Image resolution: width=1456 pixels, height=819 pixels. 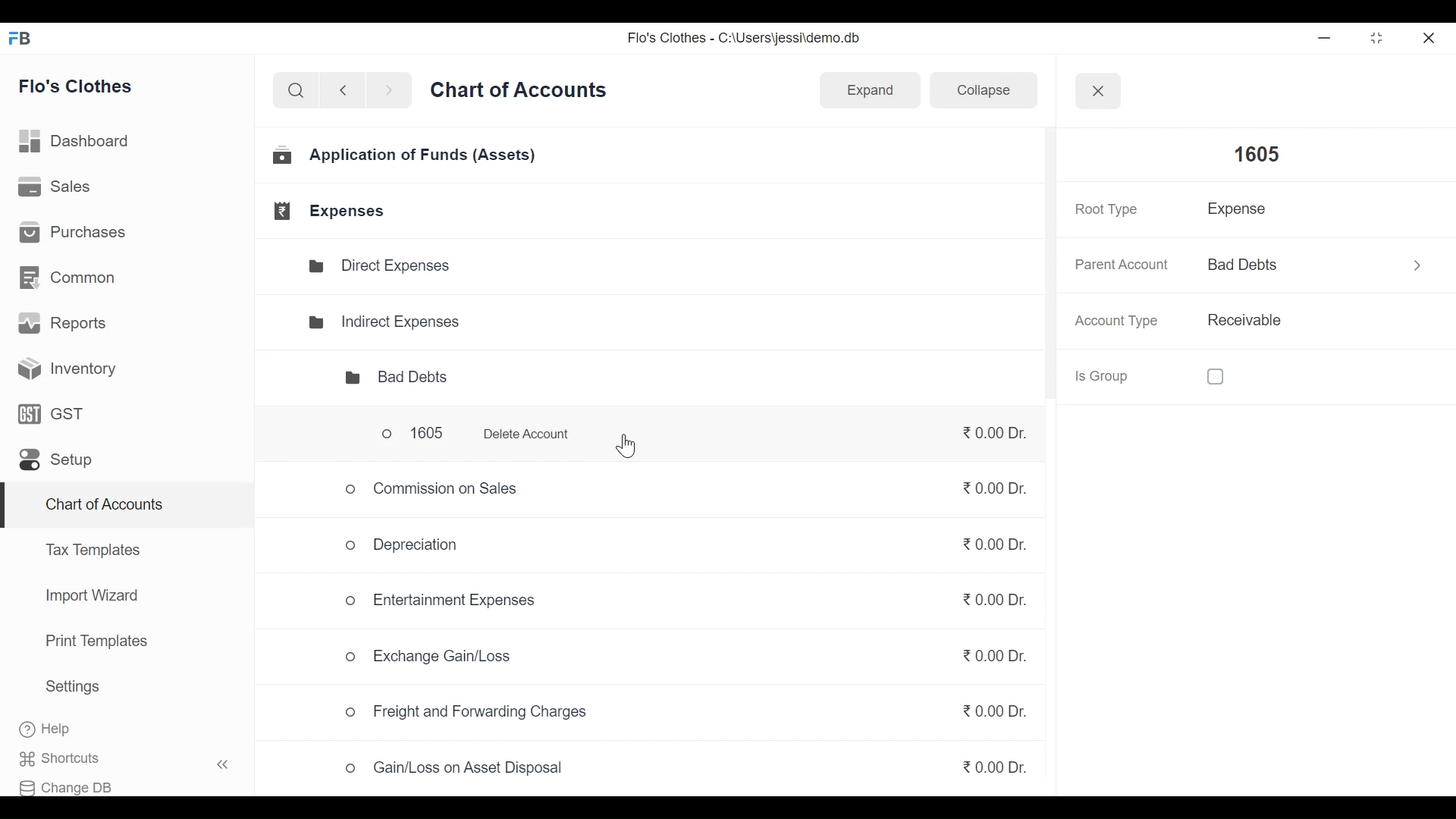 I want to click on Expense, so click(x=1242, y=212).